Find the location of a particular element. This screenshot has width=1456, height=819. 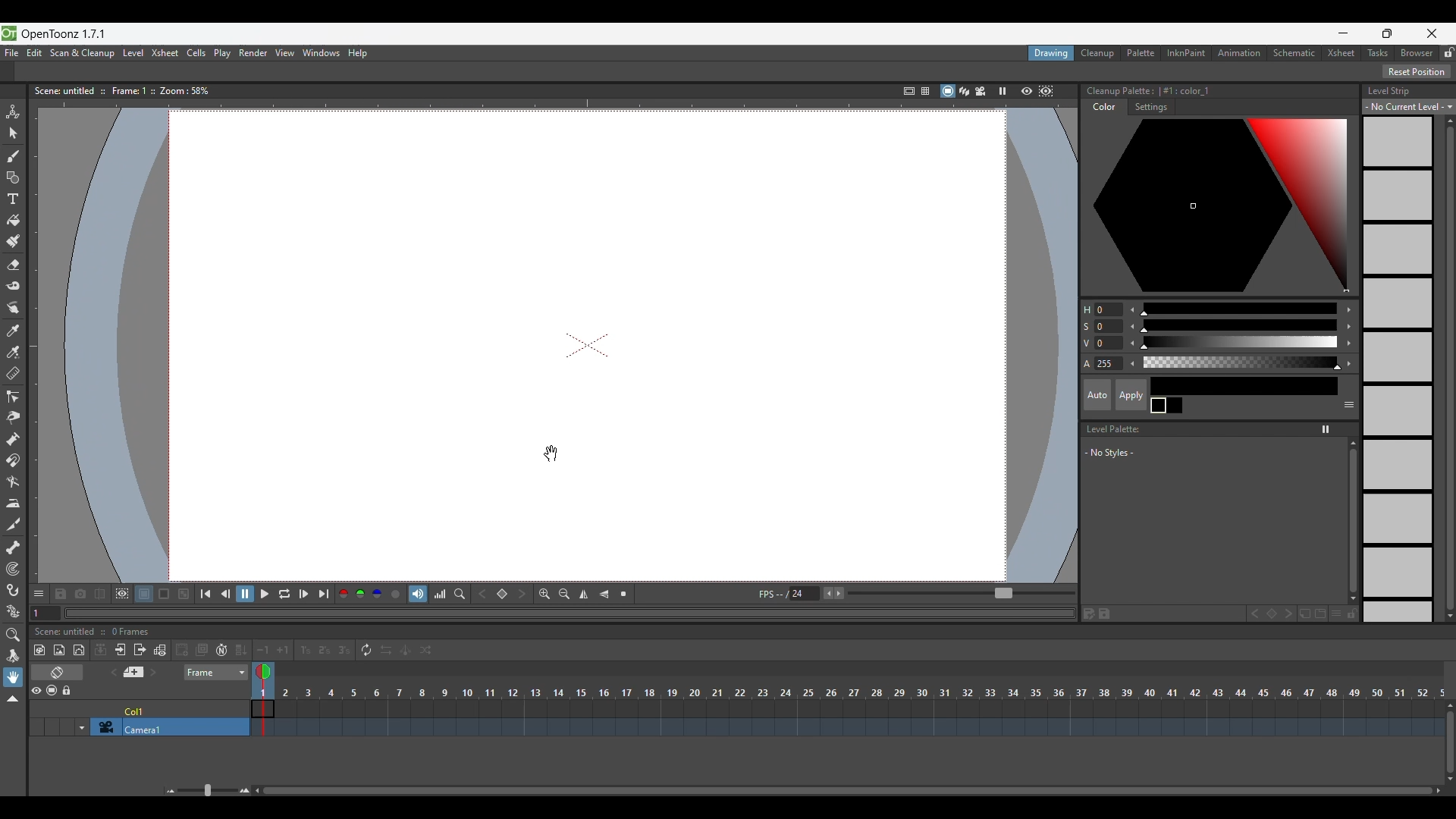

Collapse is located at coordinates (100, 650).